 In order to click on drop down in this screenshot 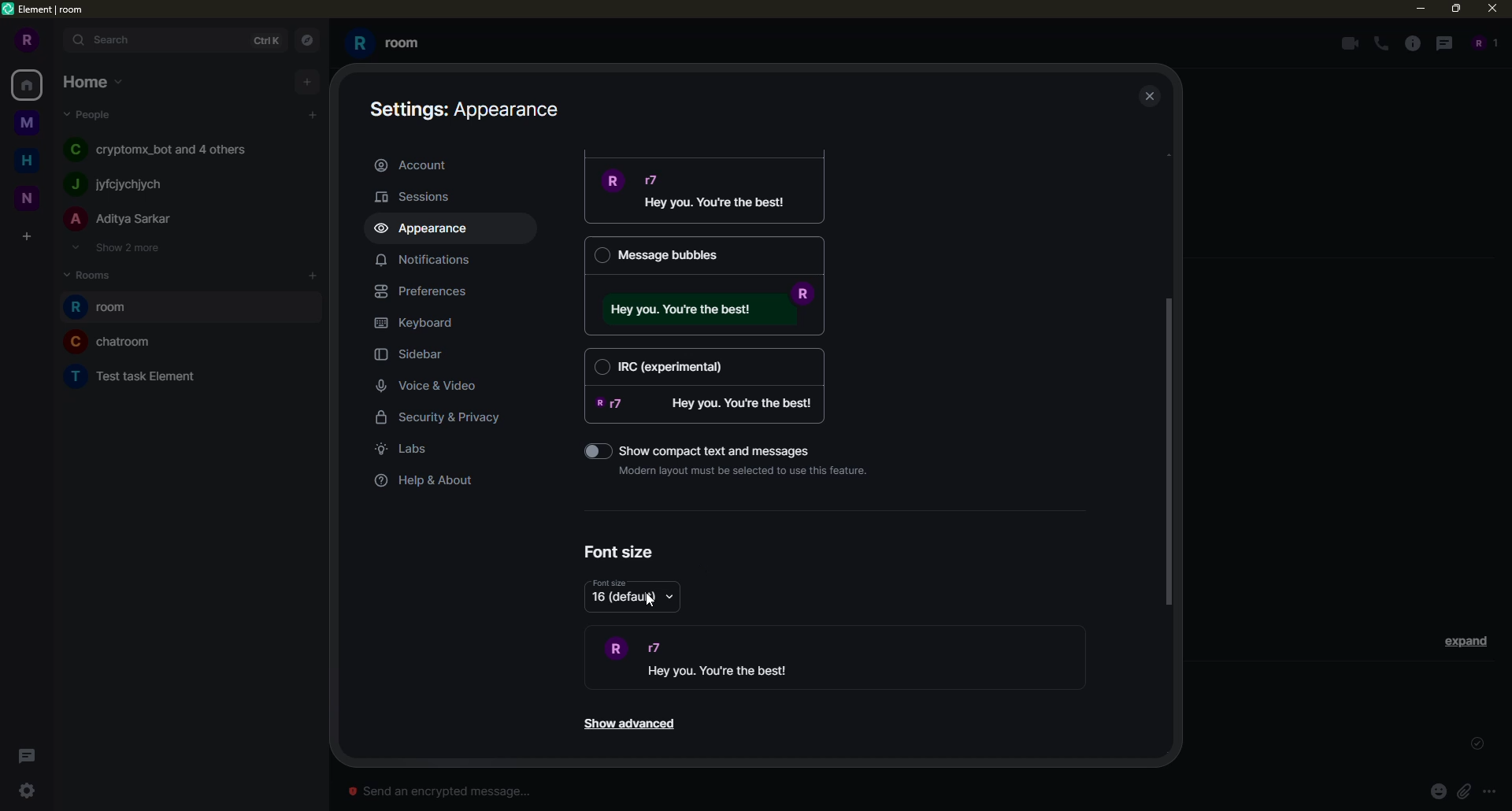, I will do `click(671, 599)`.